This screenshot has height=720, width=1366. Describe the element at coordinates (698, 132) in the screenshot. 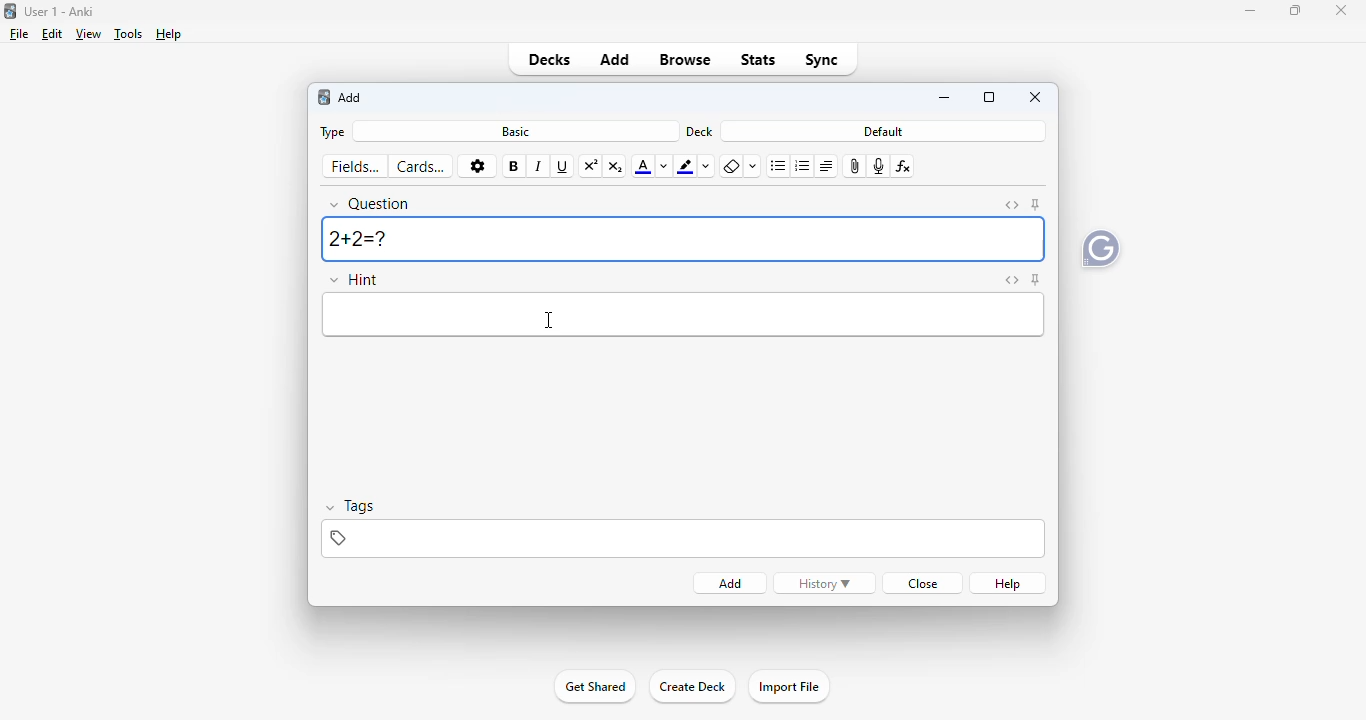

I see `deck` at that location.